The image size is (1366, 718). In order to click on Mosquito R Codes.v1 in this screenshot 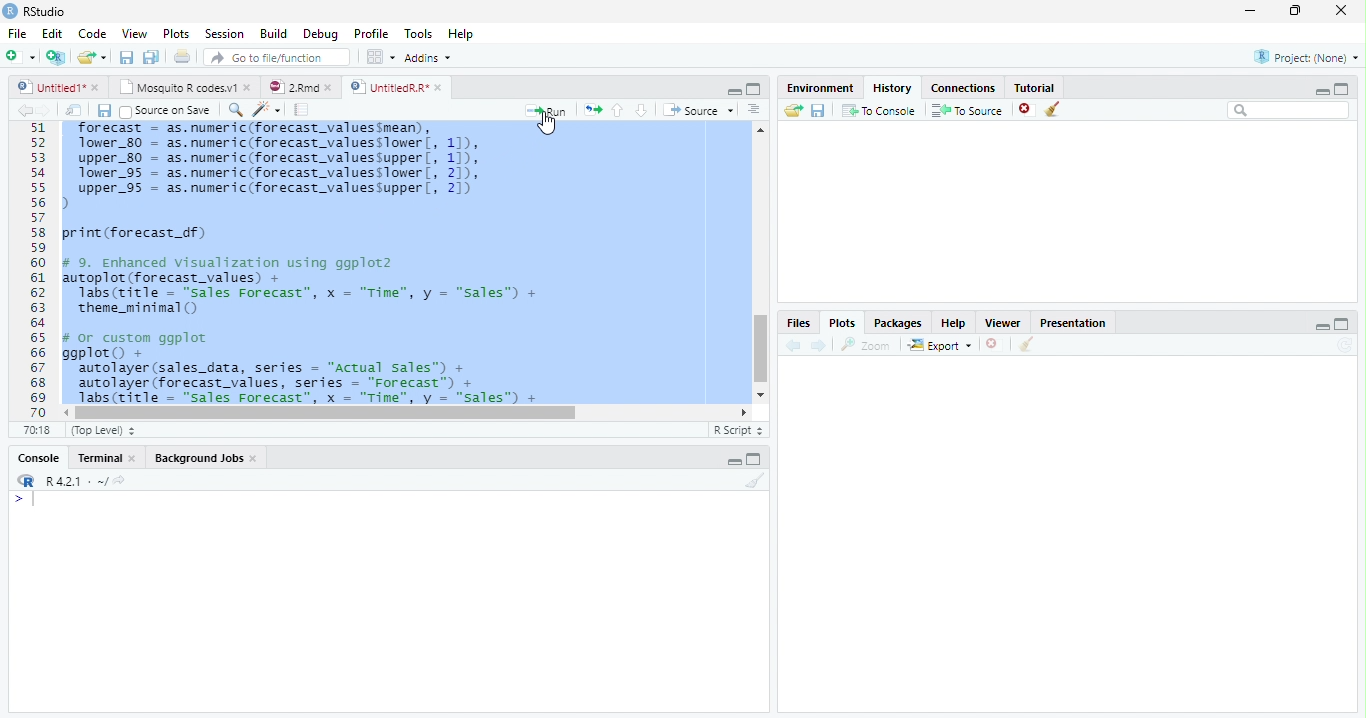, I will do `click(185, 88)`.